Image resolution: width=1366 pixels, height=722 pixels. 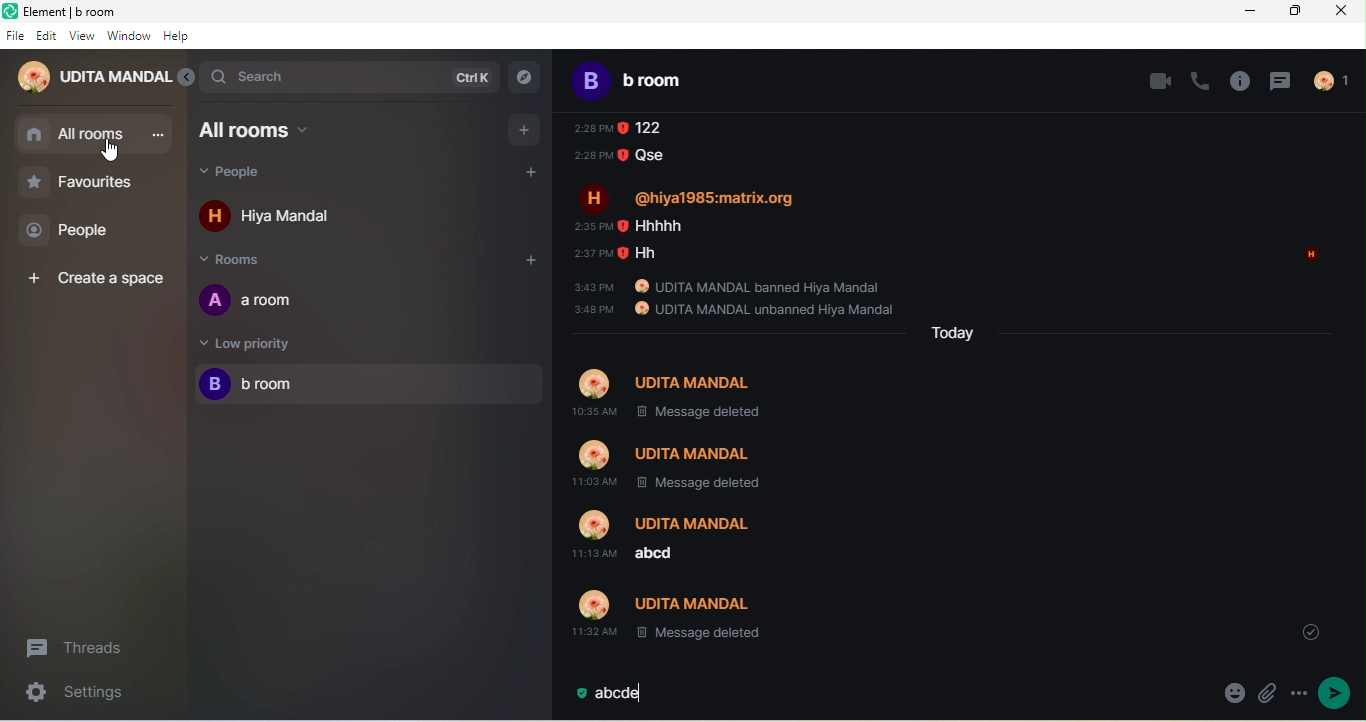 What do you see at coordinates (111, 154) in the screenshot?
I see `cursor` at bounding box center [111, 154].